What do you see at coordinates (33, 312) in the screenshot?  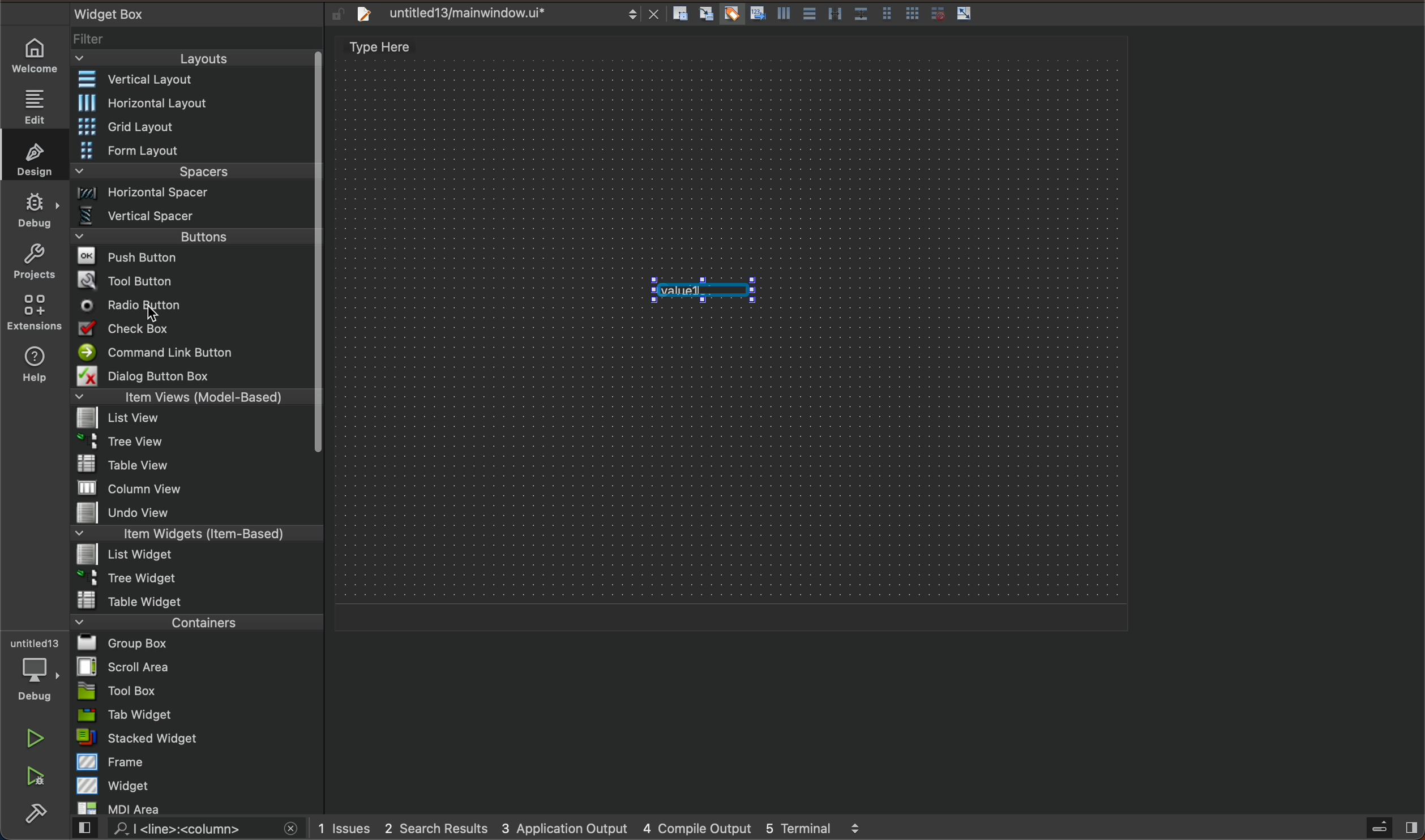 I see `extensions` at bounding box center [33, 312].